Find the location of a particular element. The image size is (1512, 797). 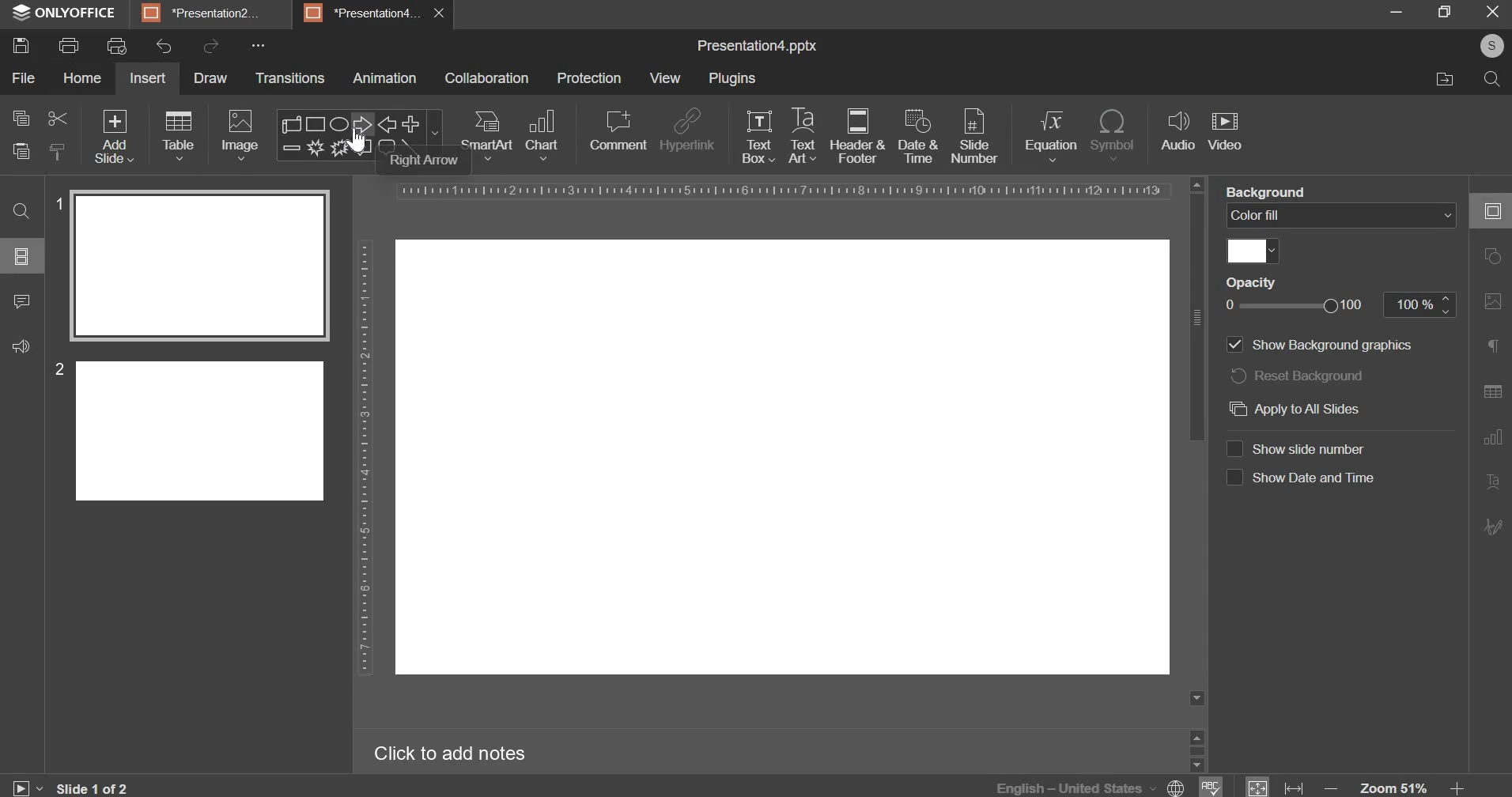

move is located at coordinates (1441, 81).